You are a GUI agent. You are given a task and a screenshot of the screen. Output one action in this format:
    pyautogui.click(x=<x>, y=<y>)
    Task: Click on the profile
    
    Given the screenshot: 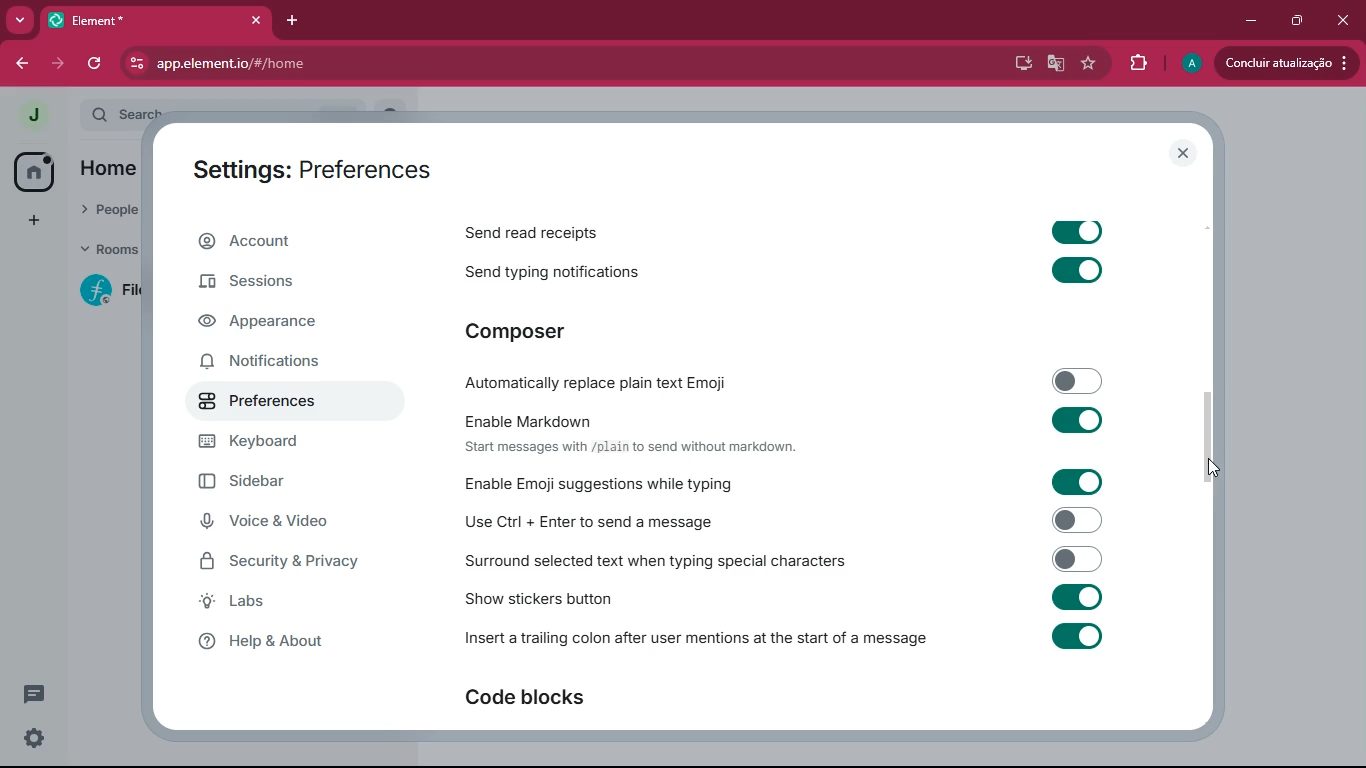 What is the action you would take?
    pyautogui.click(x=1189, y=62)
    